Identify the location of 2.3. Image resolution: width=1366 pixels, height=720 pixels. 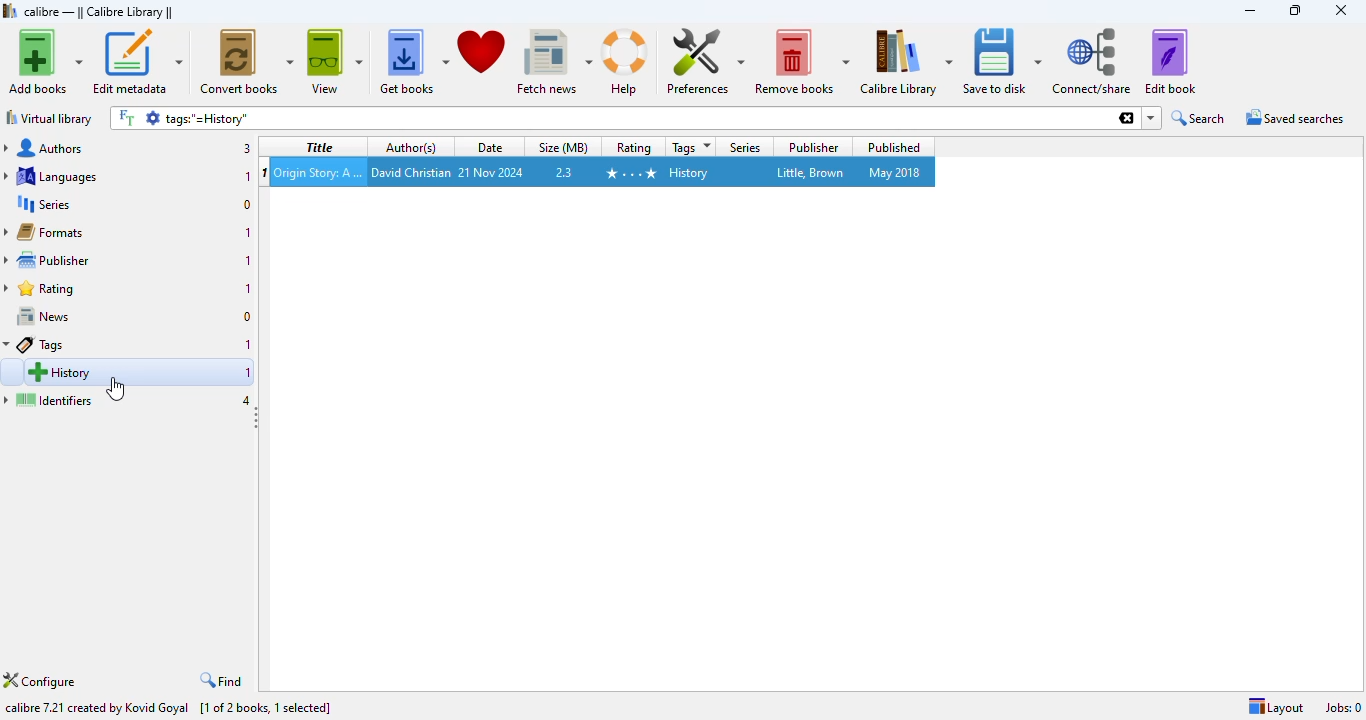
(563, 171).